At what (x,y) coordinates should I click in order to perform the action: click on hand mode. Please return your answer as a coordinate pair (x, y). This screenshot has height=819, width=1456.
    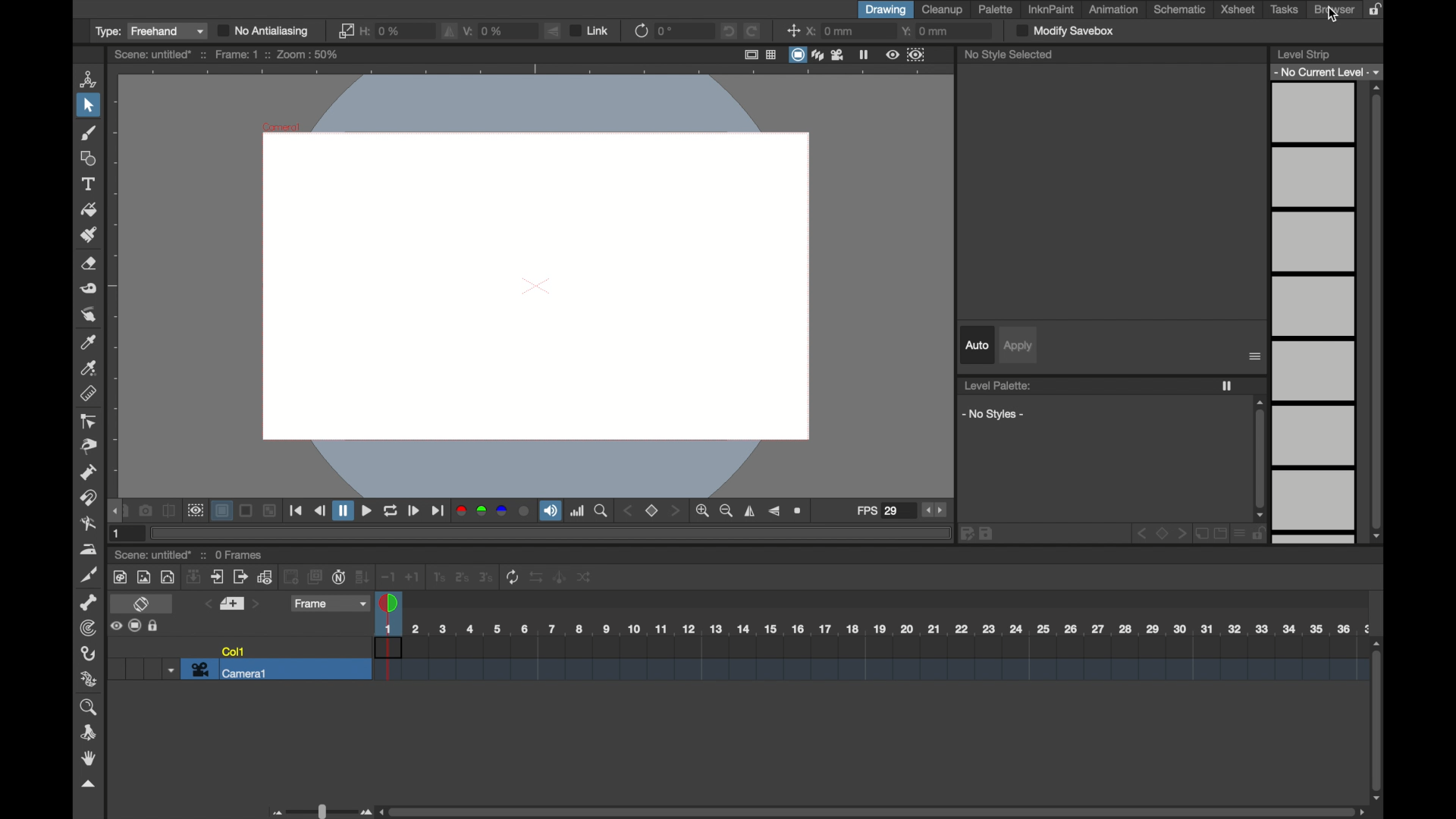
    Looking at the image, I should click on (89, 759).